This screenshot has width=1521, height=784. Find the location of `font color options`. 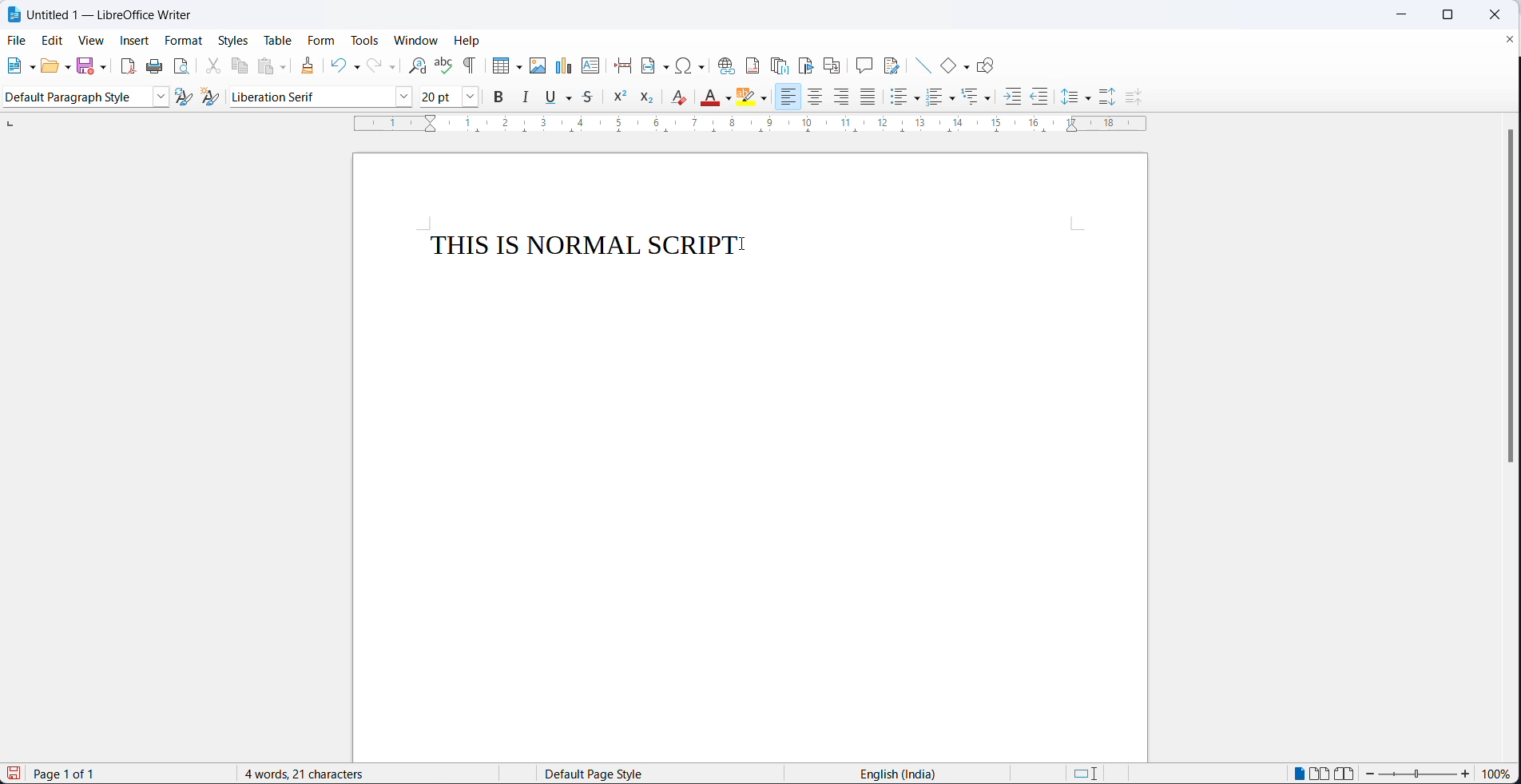

font color options is located at coordinates (729, 99).